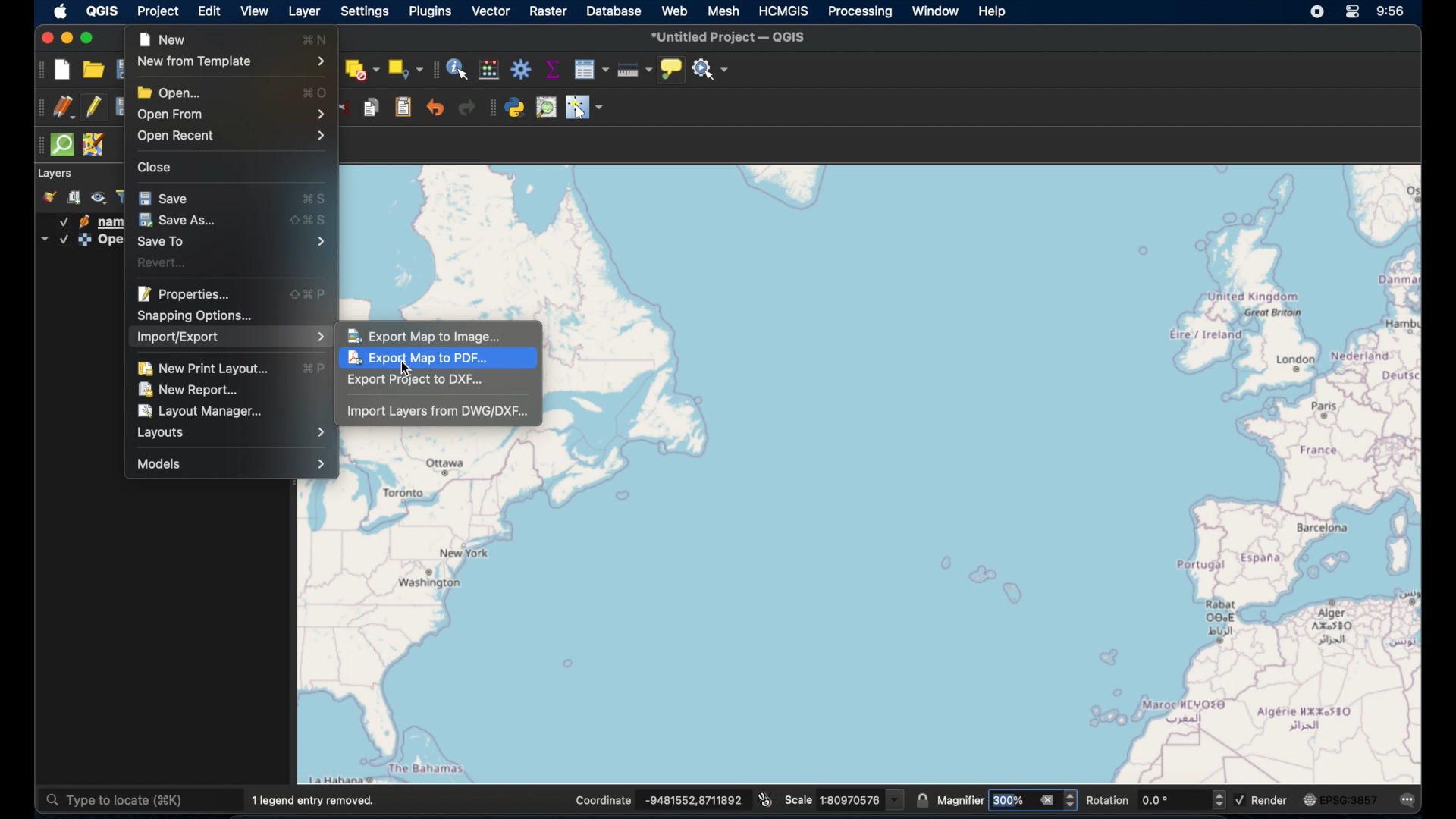 The width and height of the screenshot is (1456, 819). What do you see at coordinates (1316, 13) in the screenshot?
I see `screen recorder icon` at bounding box center [1316, 13].